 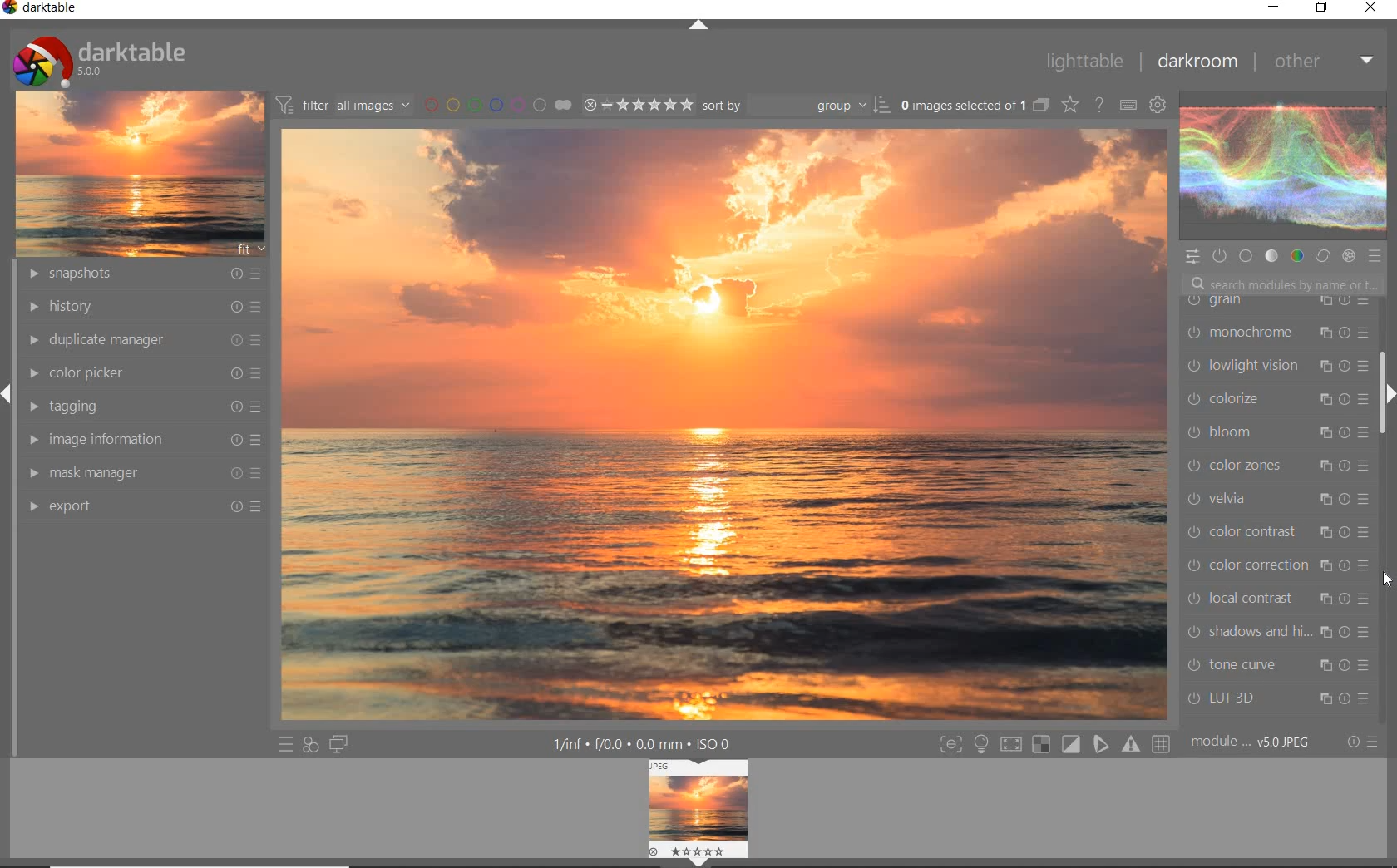 I want to click on shadows, so click(x=1277, y=634).